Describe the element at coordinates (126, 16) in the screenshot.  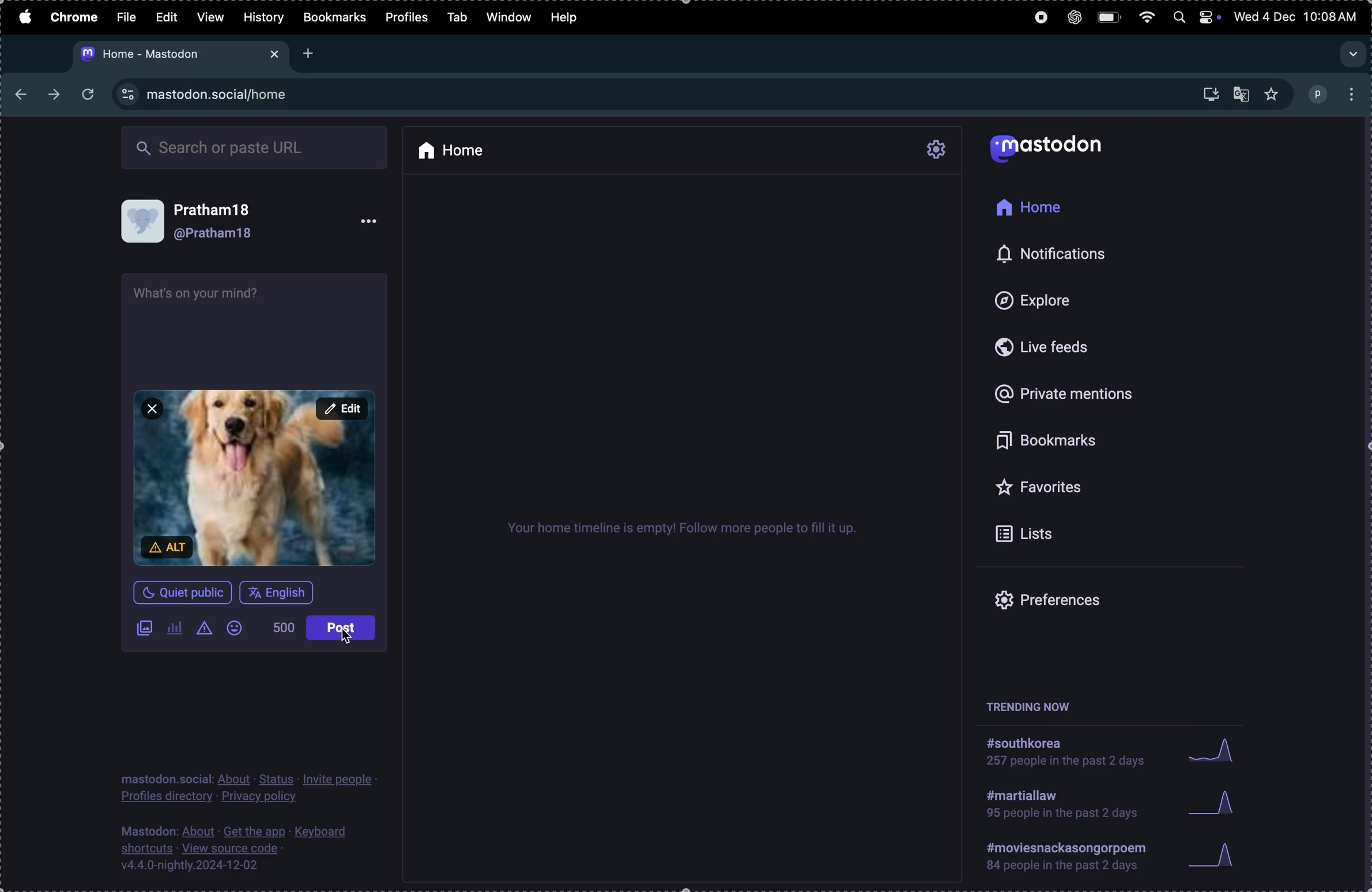
I see `Filw` at that location.